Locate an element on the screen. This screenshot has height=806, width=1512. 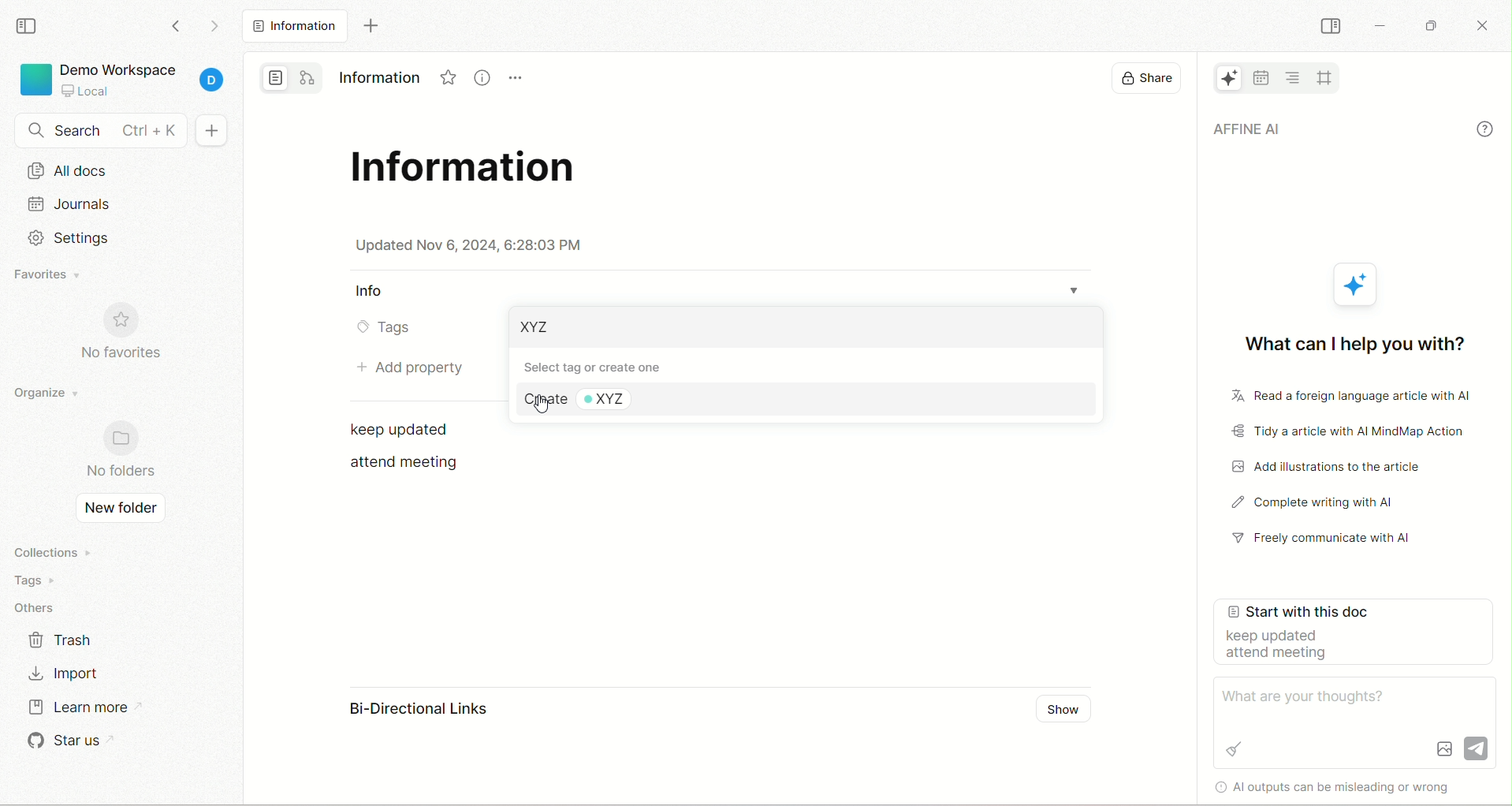
collapse sidebar is located at coordinates (27, 27).